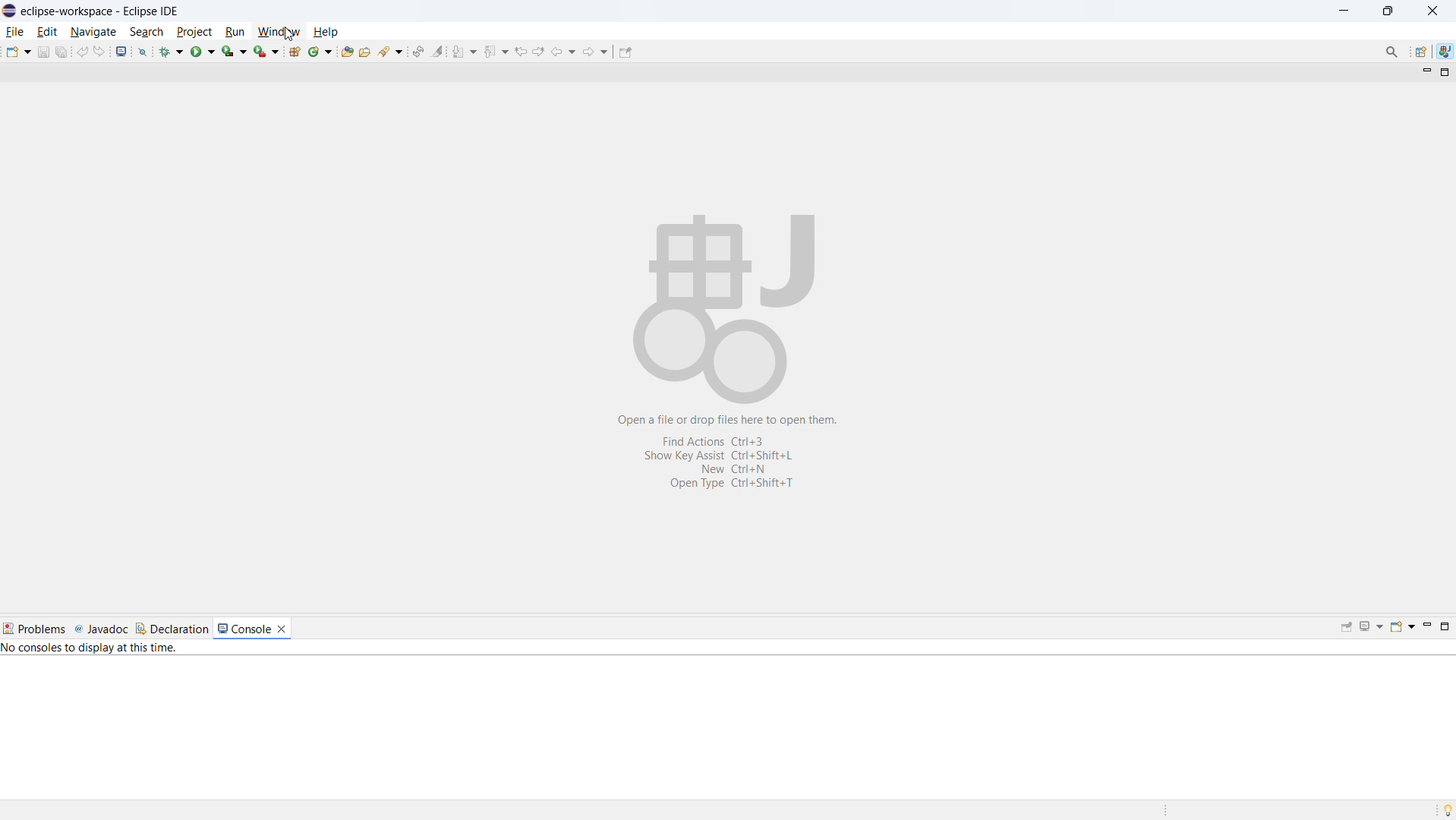  What do you see at coordinates (438, 50) in the screenshot?
I see `toggle ant mark occurances` at bounding box center [438, 50].